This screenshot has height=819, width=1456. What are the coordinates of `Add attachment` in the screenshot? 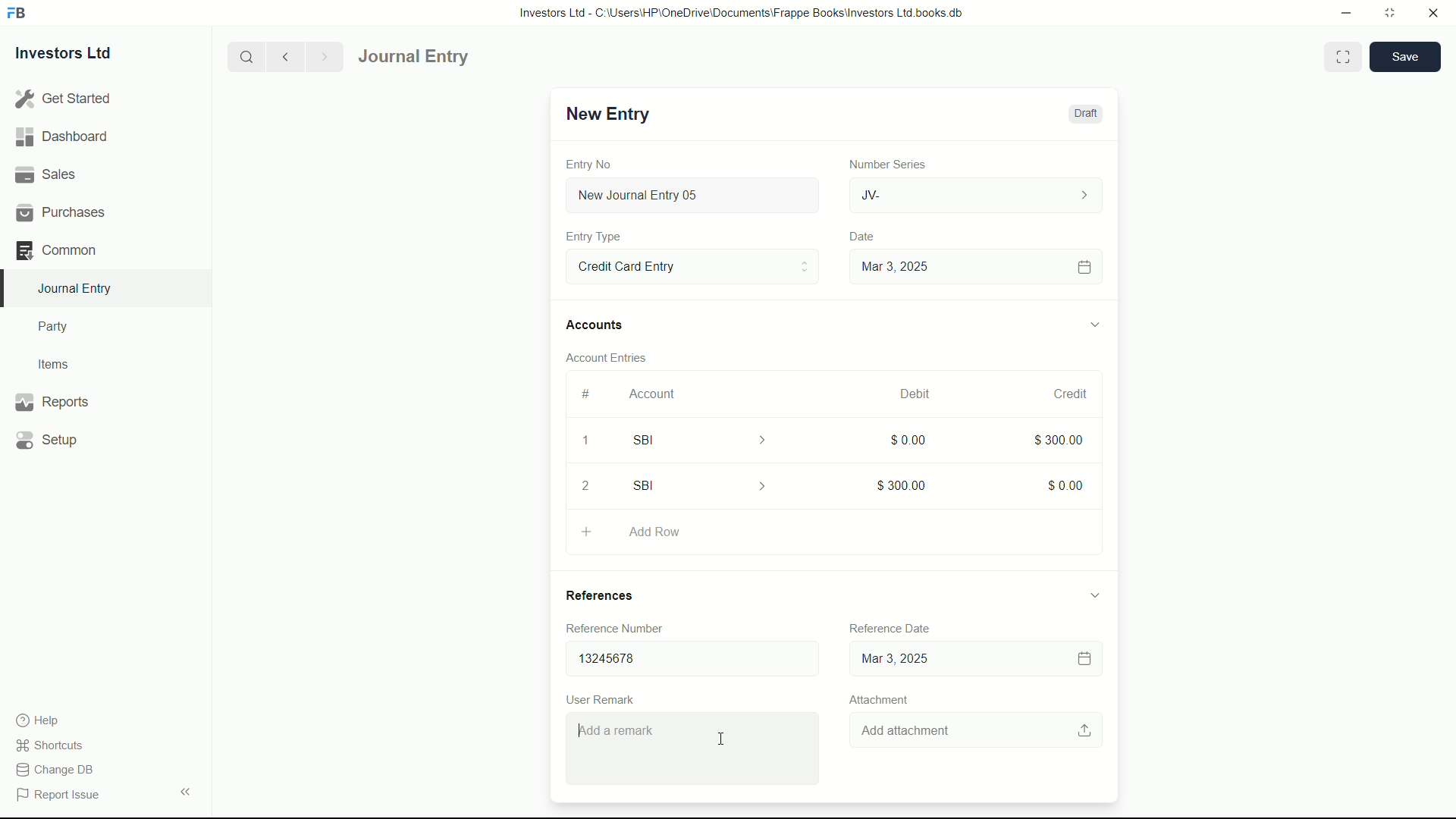 It's located at (977, 731).